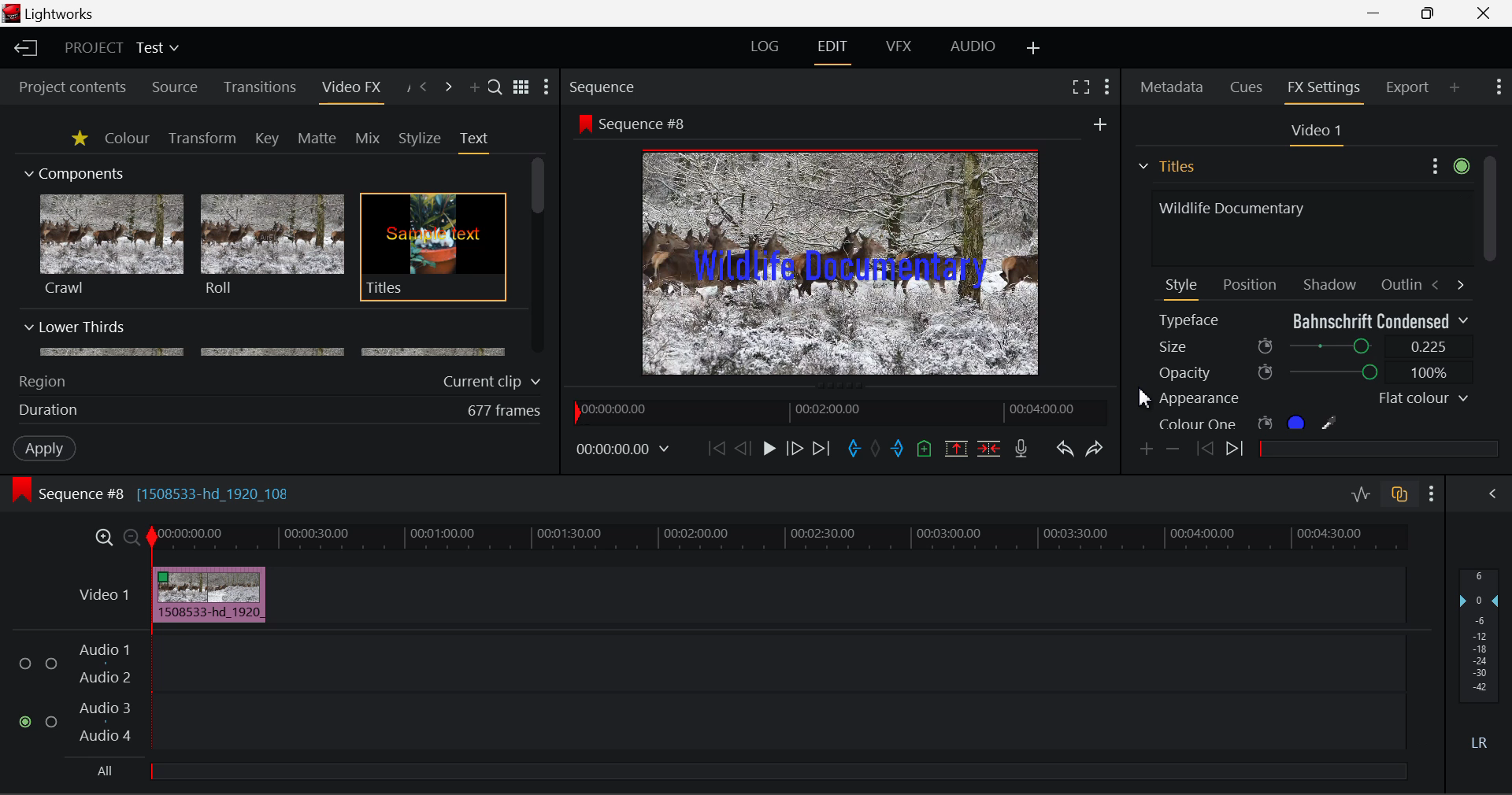 The image size is (1512, 795). Describe the element at coordinates (547, 87) in the screenshot. I see `Show Settings` at that location.